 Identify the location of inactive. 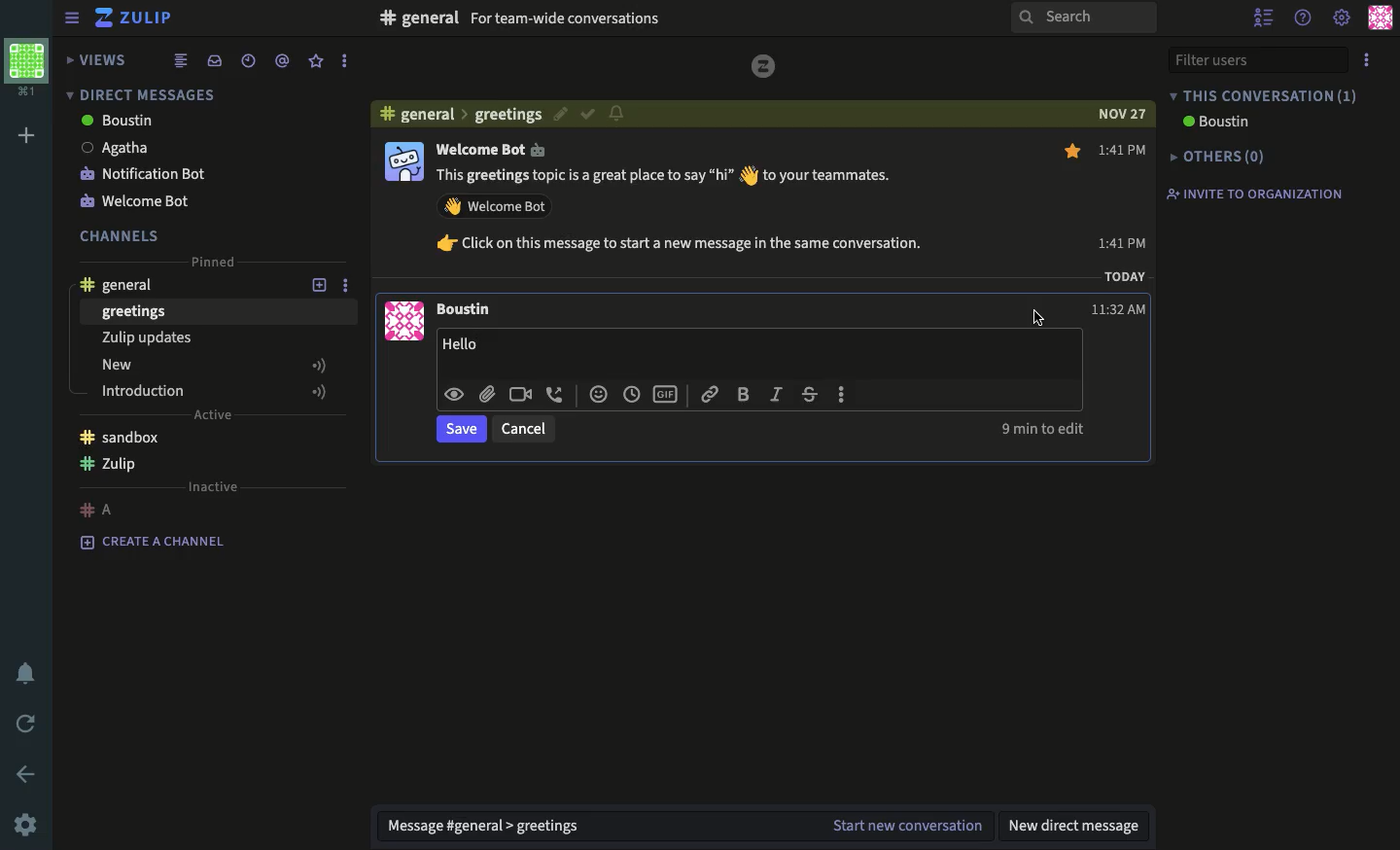
(213, 486).